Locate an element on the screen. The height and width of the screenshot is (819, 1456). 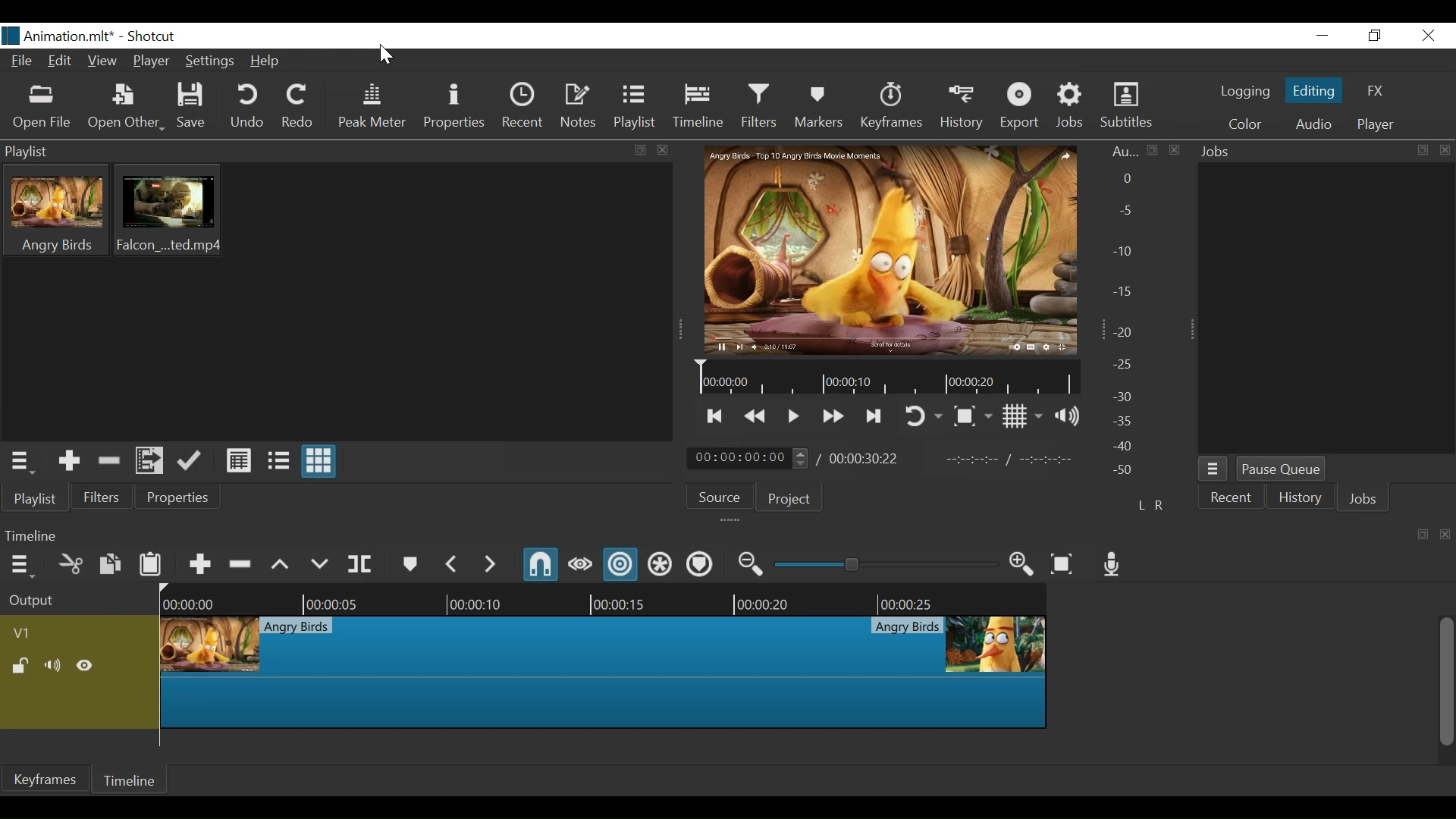
Open File is located at coordinates (40, 108).